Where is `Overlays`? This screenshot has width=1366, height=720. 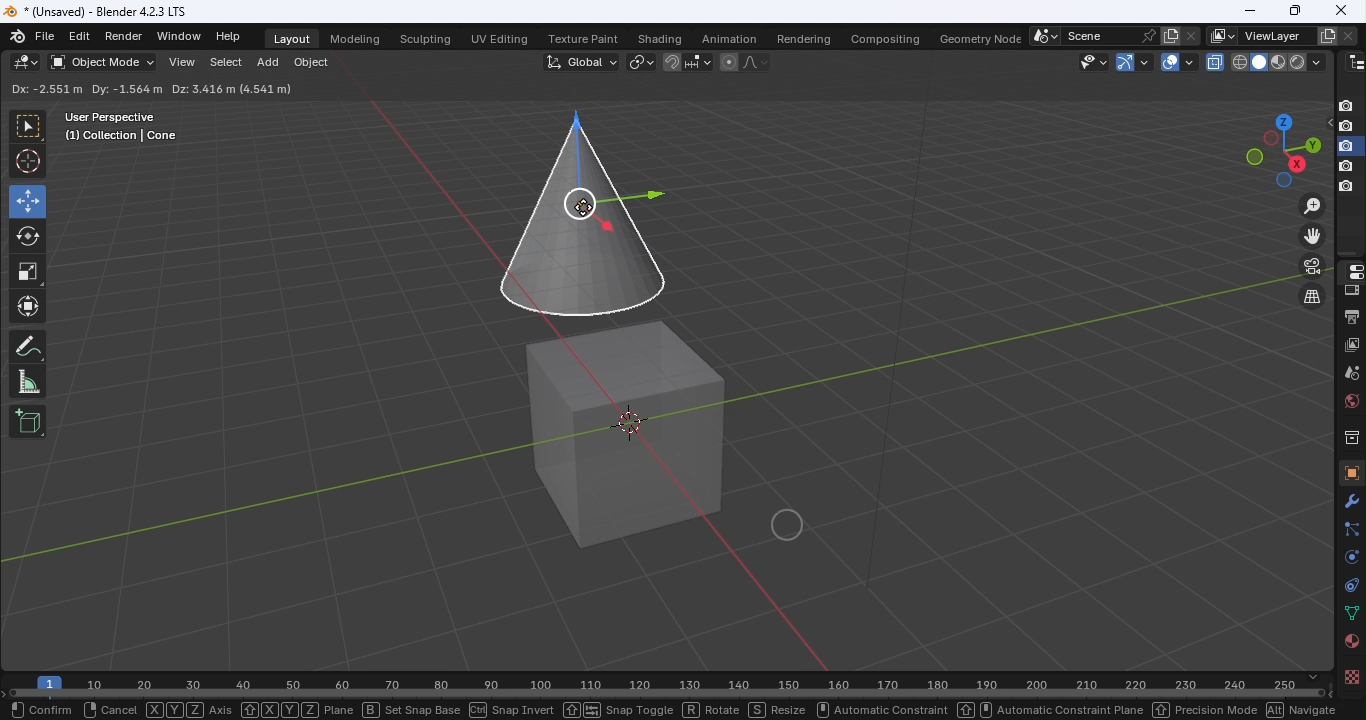
Overlays is located at coordinates (1189, 62).